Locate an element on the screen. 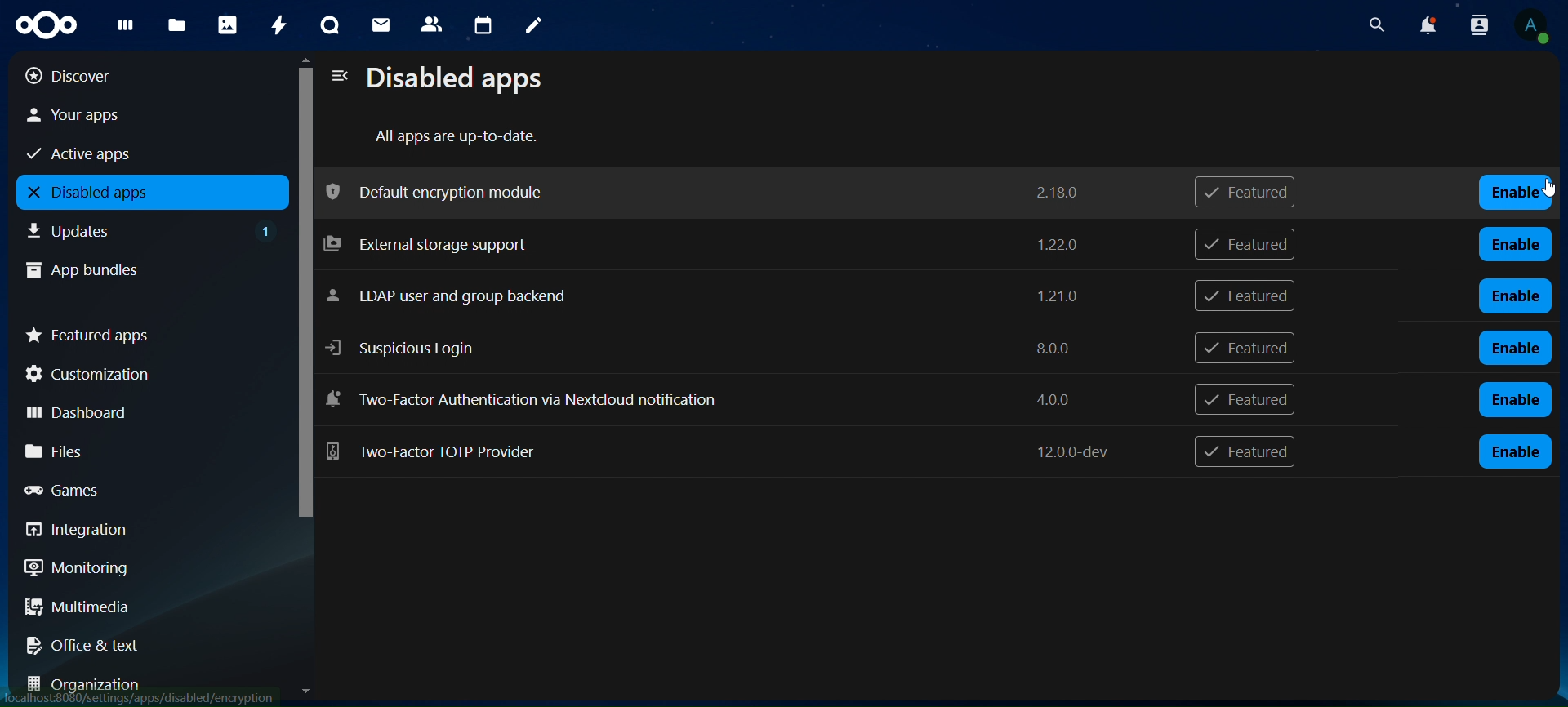  notification is located at coordinates (1476, 24).